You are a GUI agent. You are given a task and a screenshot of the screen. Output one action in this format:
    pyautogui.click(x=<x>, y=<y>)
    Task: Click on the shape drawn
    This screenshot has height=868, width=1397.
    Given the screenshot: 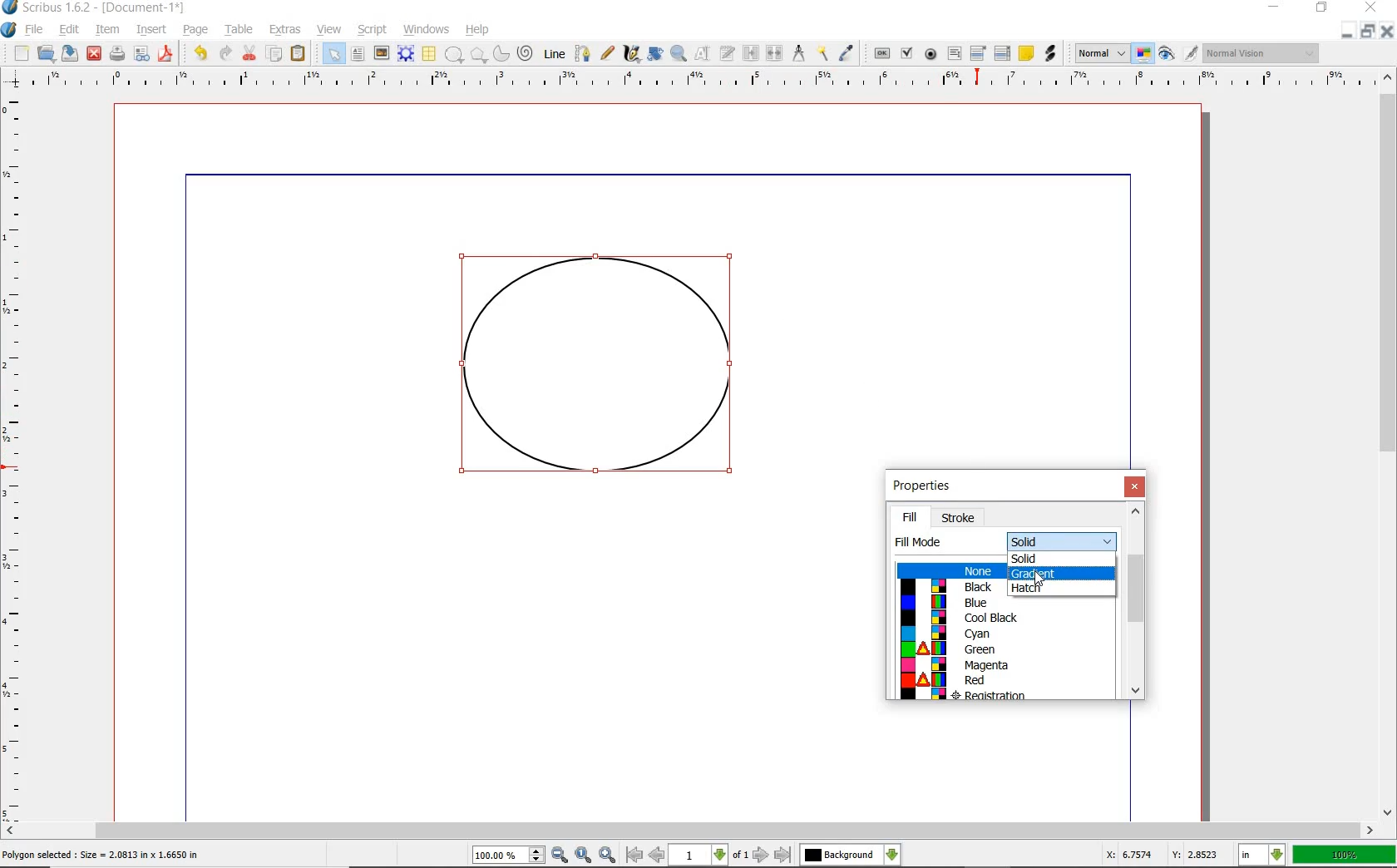 What is the action you would take?
    pyautogui.click(x=600, y=374)
    